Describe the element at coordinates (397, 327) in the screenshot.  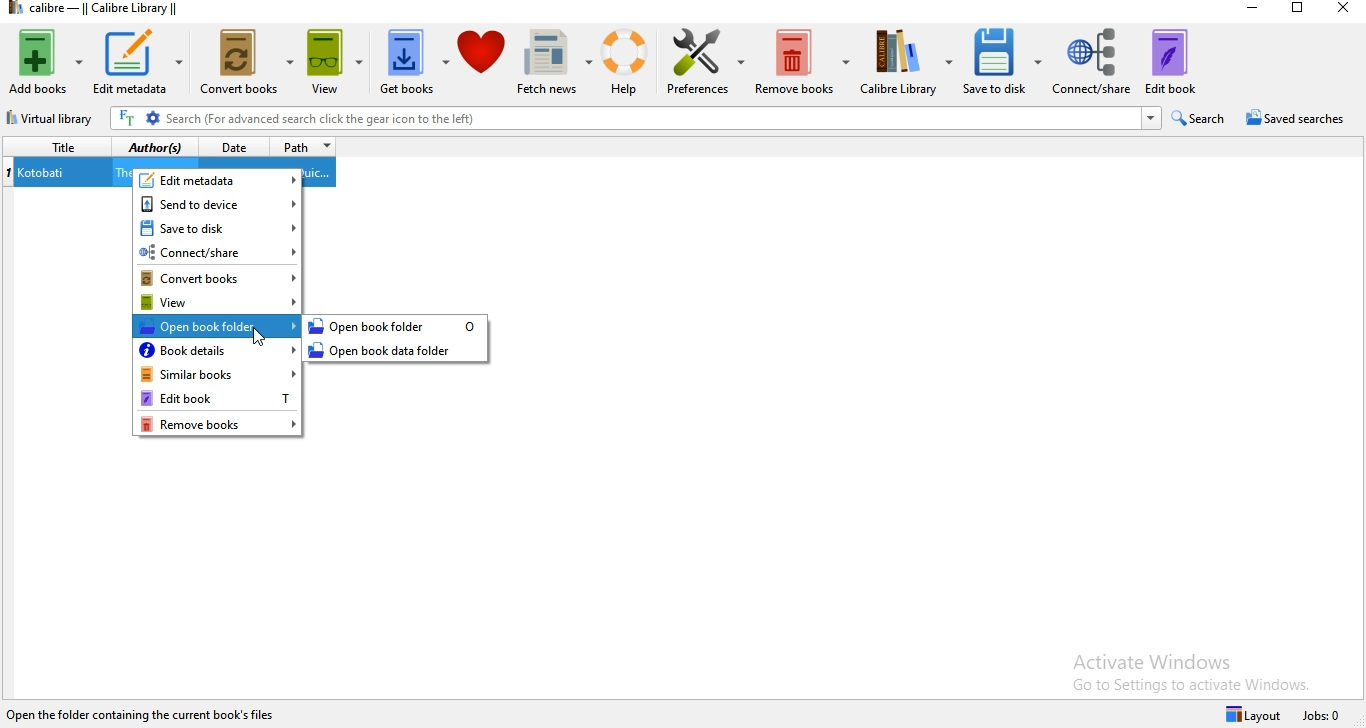
I see `open book folder` at that location.